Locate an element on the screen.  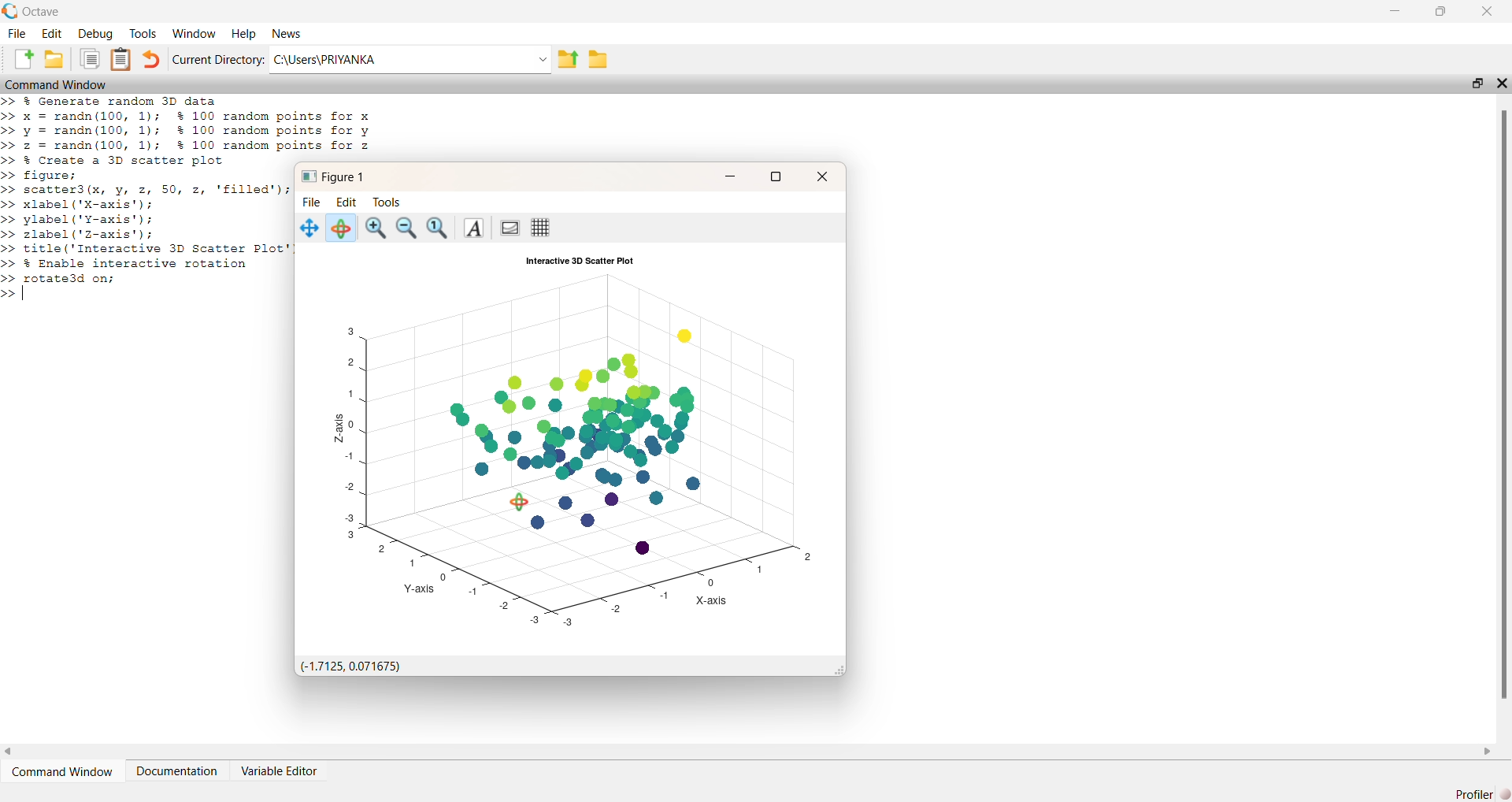
Window is located at coordinates (196, 34).